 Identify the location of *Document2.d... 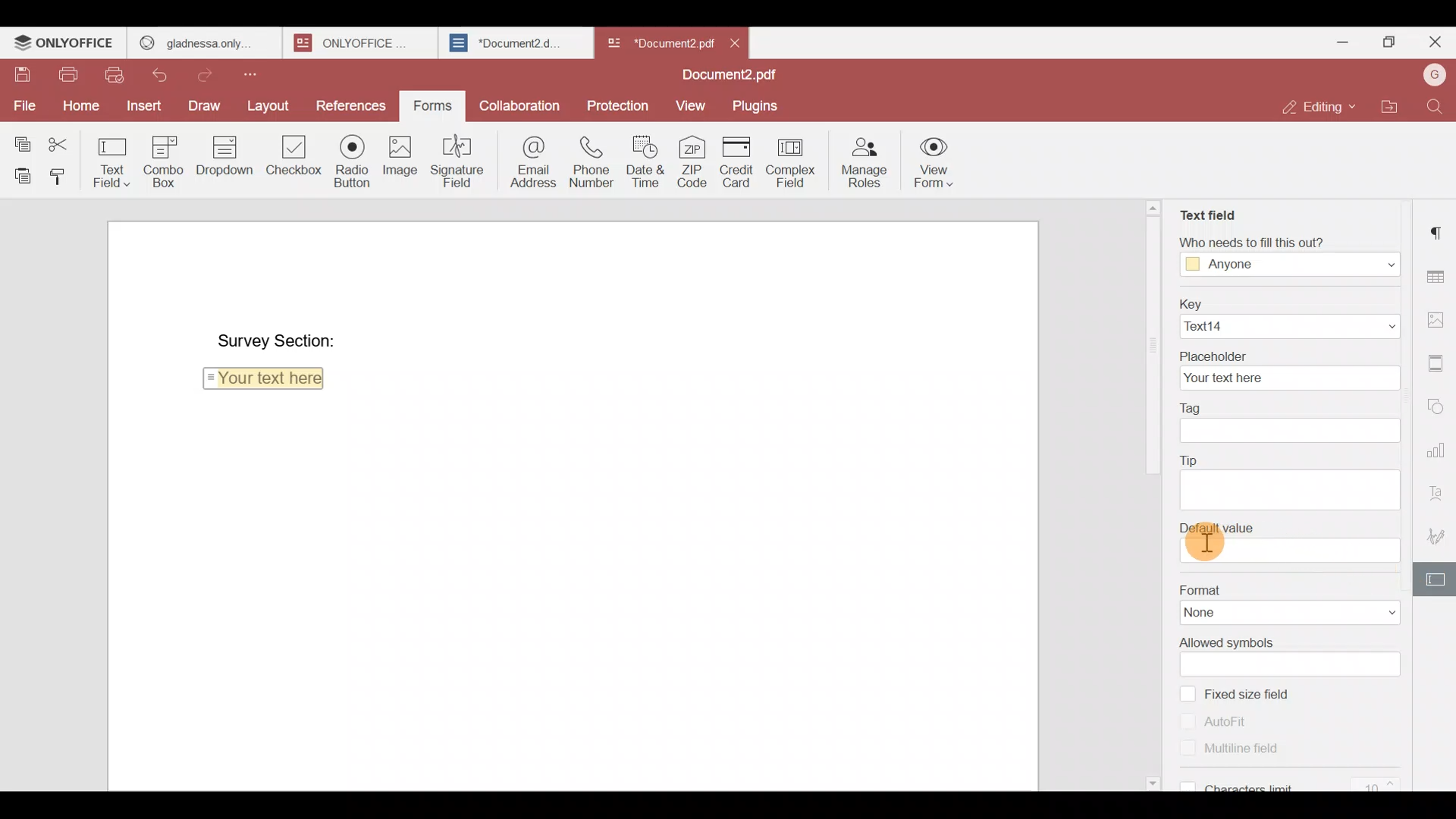
(507, 41).